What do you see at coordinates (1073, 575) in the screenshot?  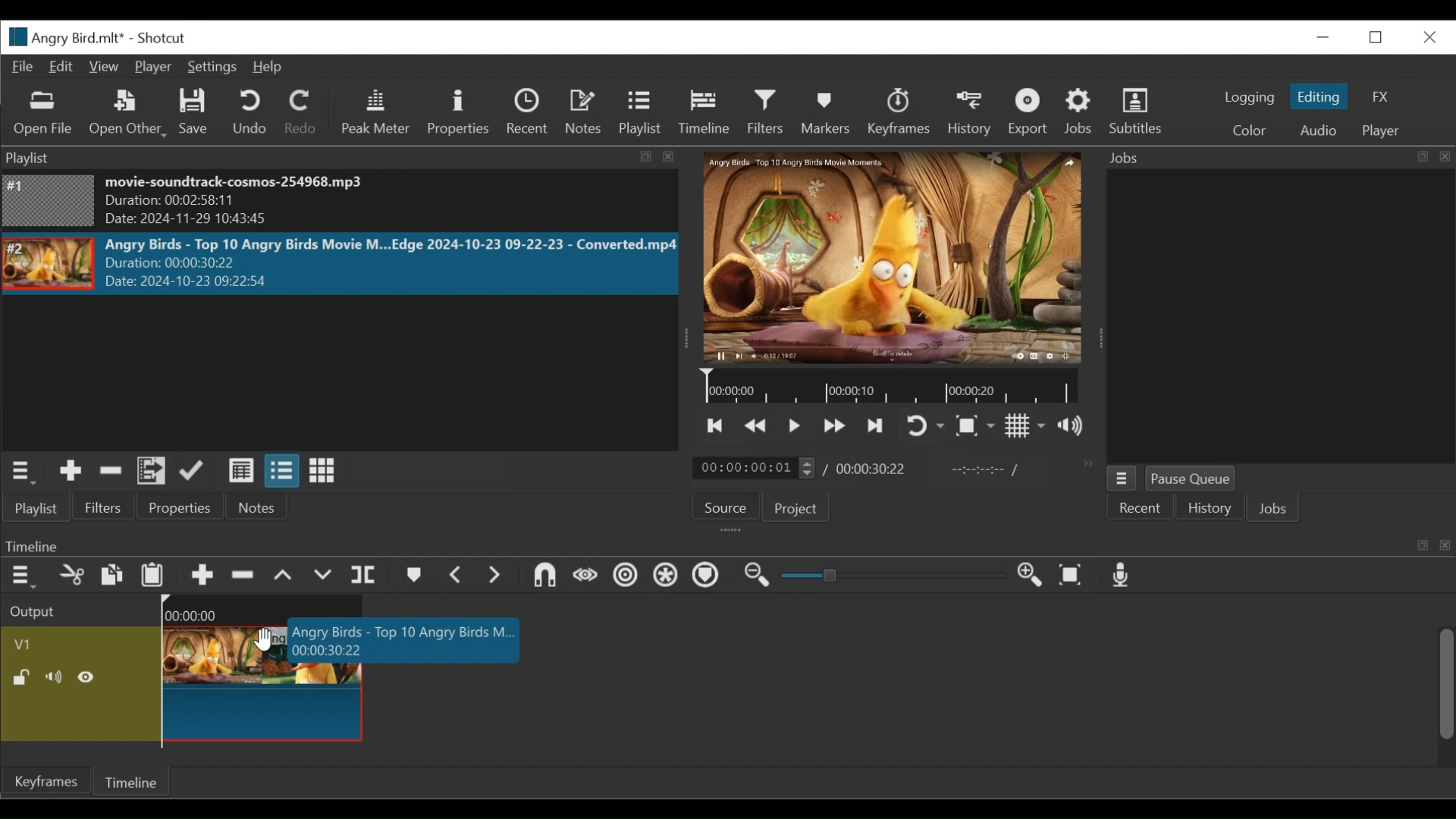 I see `Zoom timeline to fit` at bounding box center [1073, 575].